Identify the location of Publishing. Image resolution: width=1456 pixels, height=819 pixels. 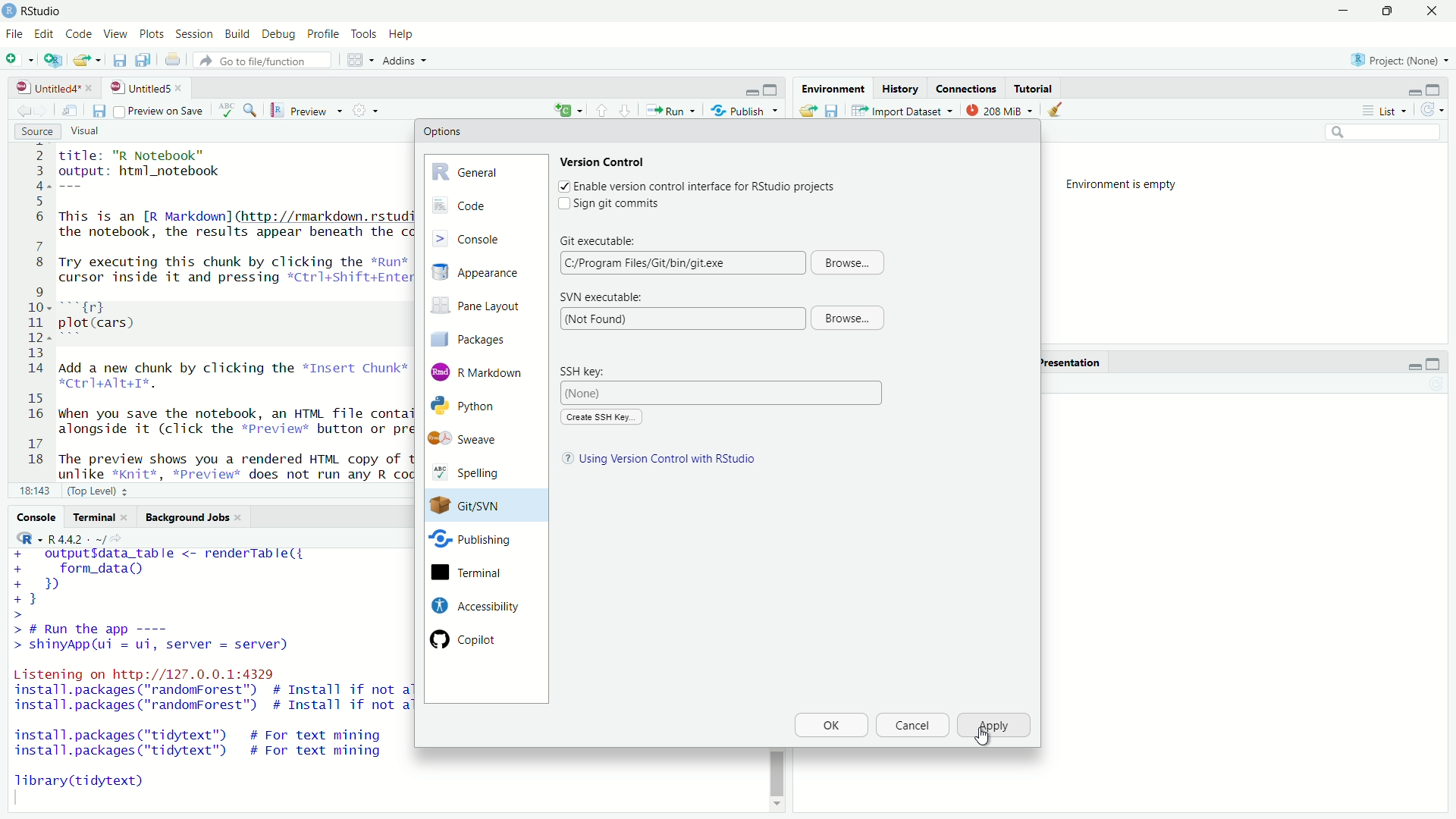
(472, 542).